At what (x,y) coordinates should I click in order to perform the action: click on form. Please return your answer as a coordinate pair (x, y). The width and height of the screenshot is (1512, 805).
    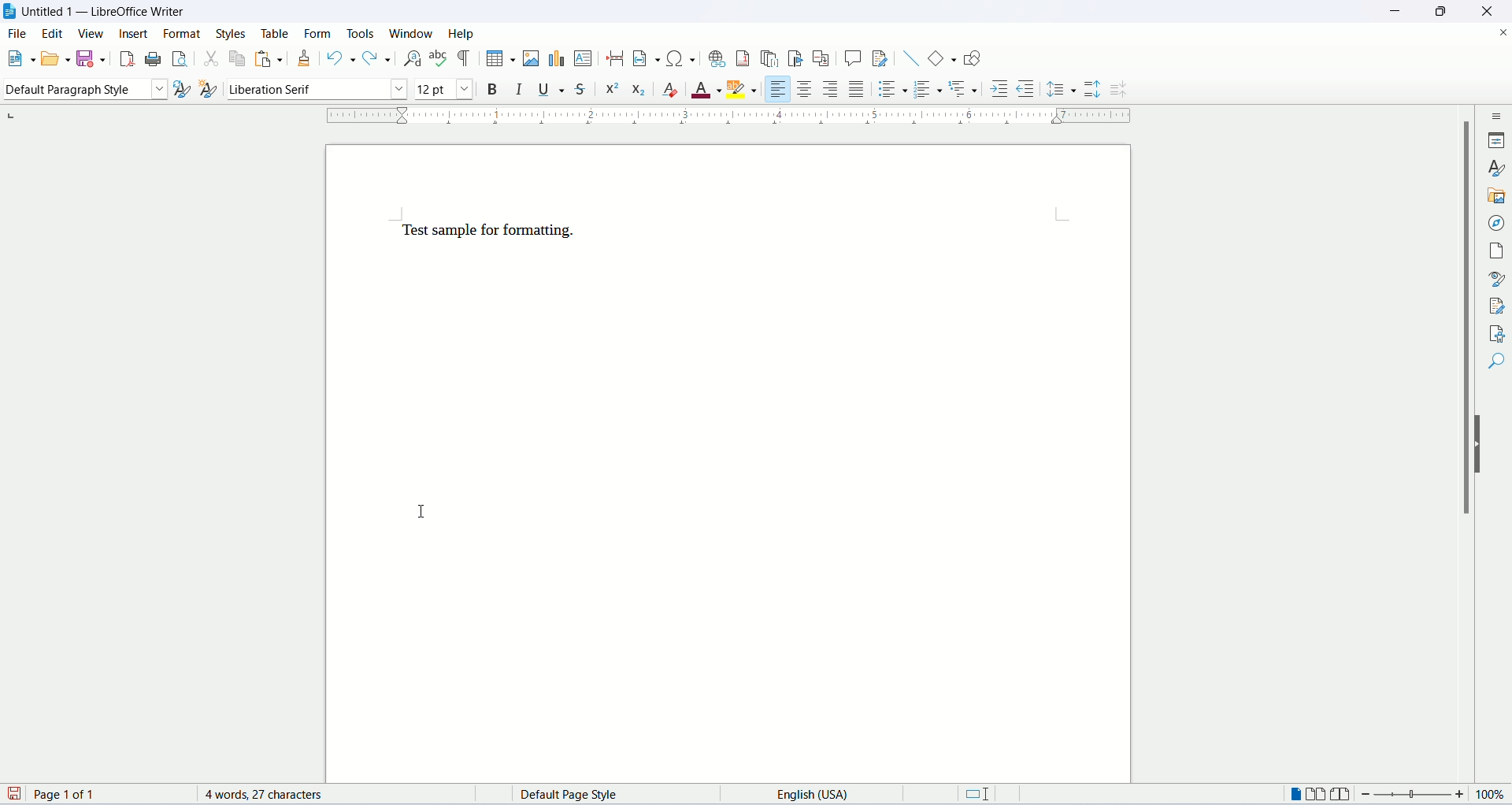
    Looking at the image, I should click on (320, 33).